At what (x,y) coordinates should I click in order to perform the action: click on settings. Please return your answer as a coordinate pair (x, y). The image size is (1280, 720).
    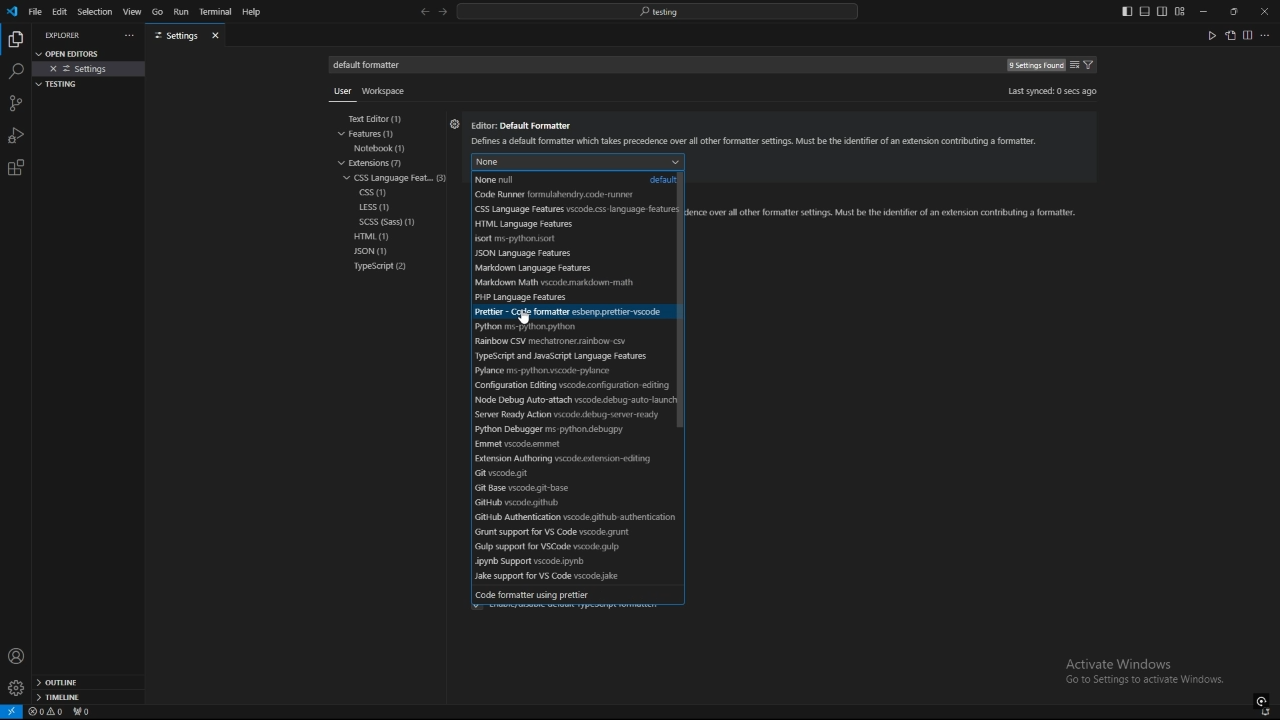
    Looking at the image, I should click on (454, 127).